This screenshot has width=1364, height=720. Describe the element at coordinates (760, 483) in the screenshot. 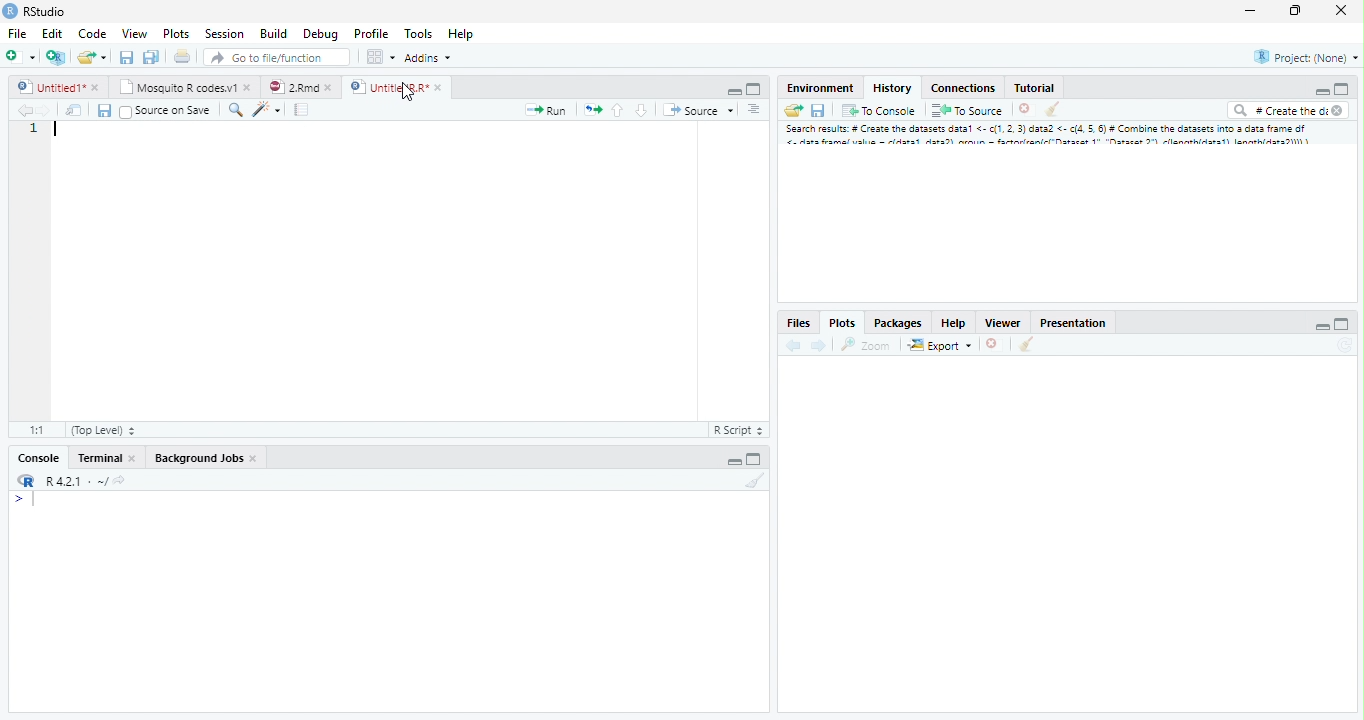

I see `Clear Console` at that location.